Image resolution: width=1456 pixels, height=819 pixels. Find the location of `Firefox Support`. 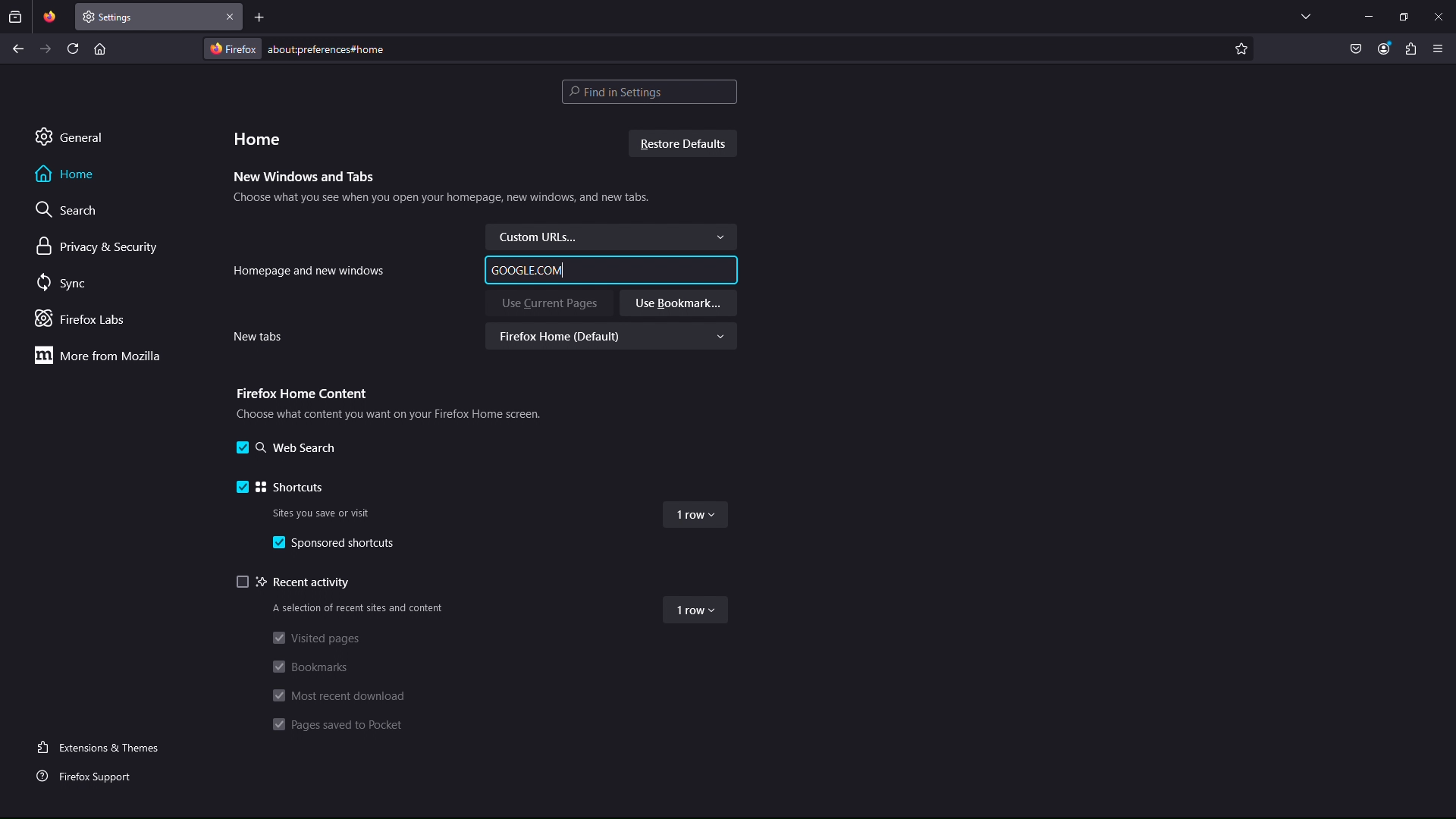

Firefox Support is located at coordinates (89, 774).